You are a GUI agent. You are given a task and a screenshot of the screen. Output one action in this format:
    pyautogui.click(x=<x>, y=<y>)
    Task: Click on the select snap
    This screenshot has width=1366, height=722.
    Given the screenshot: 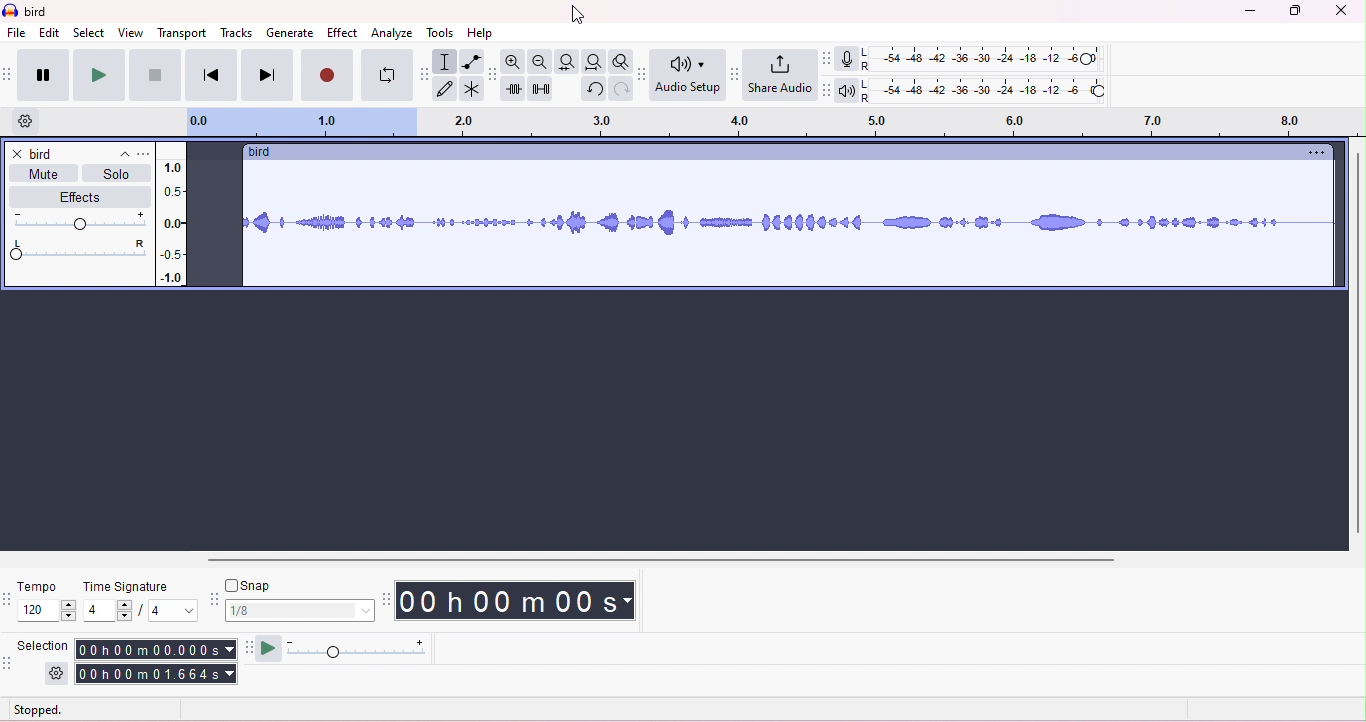 What is the action you would take?
    pyautogui.click(x=301, y=610)
    